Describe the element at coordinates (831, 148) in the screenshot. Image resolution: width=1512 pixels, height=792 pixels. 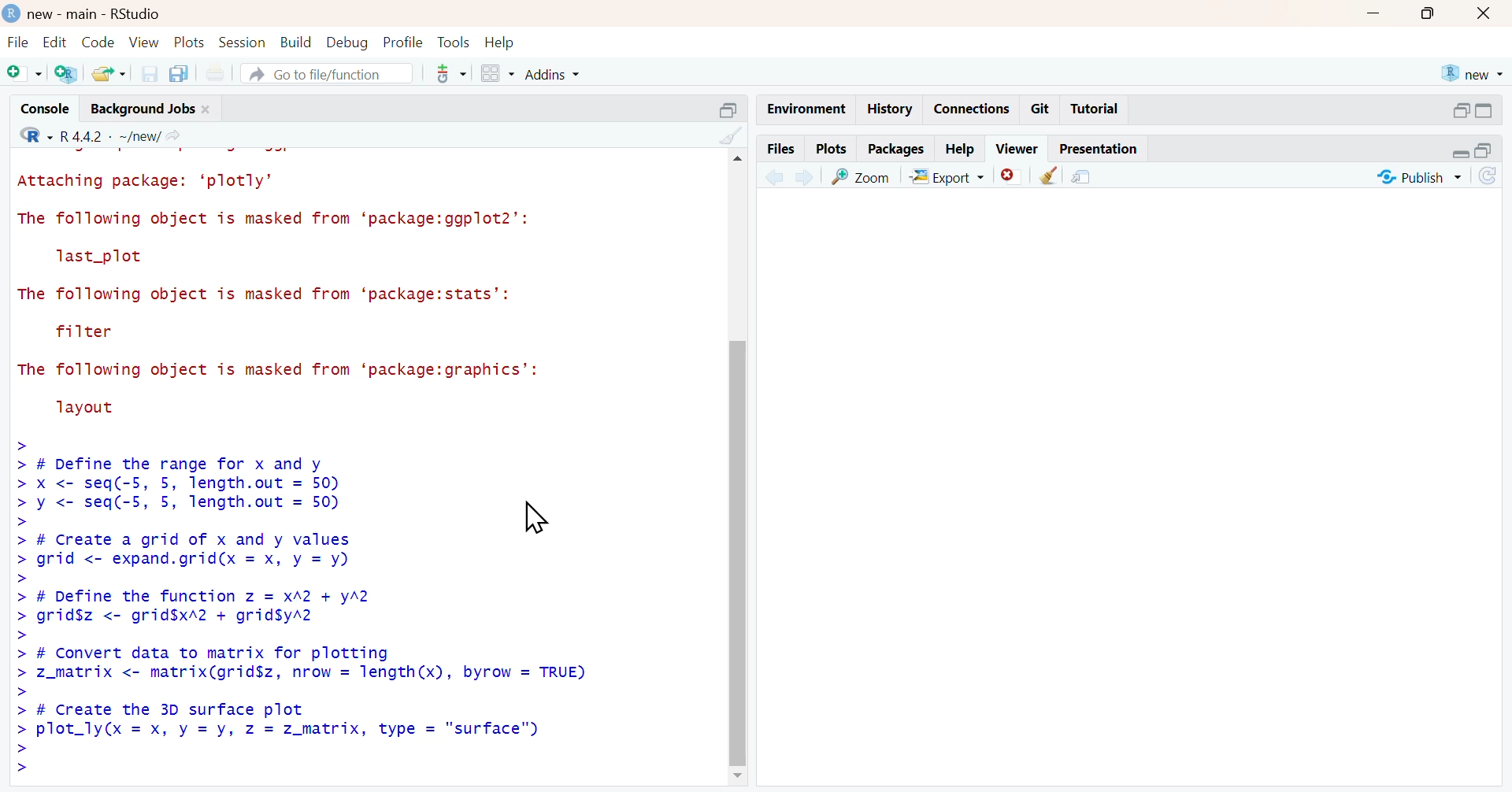
I see `plots` at that location.